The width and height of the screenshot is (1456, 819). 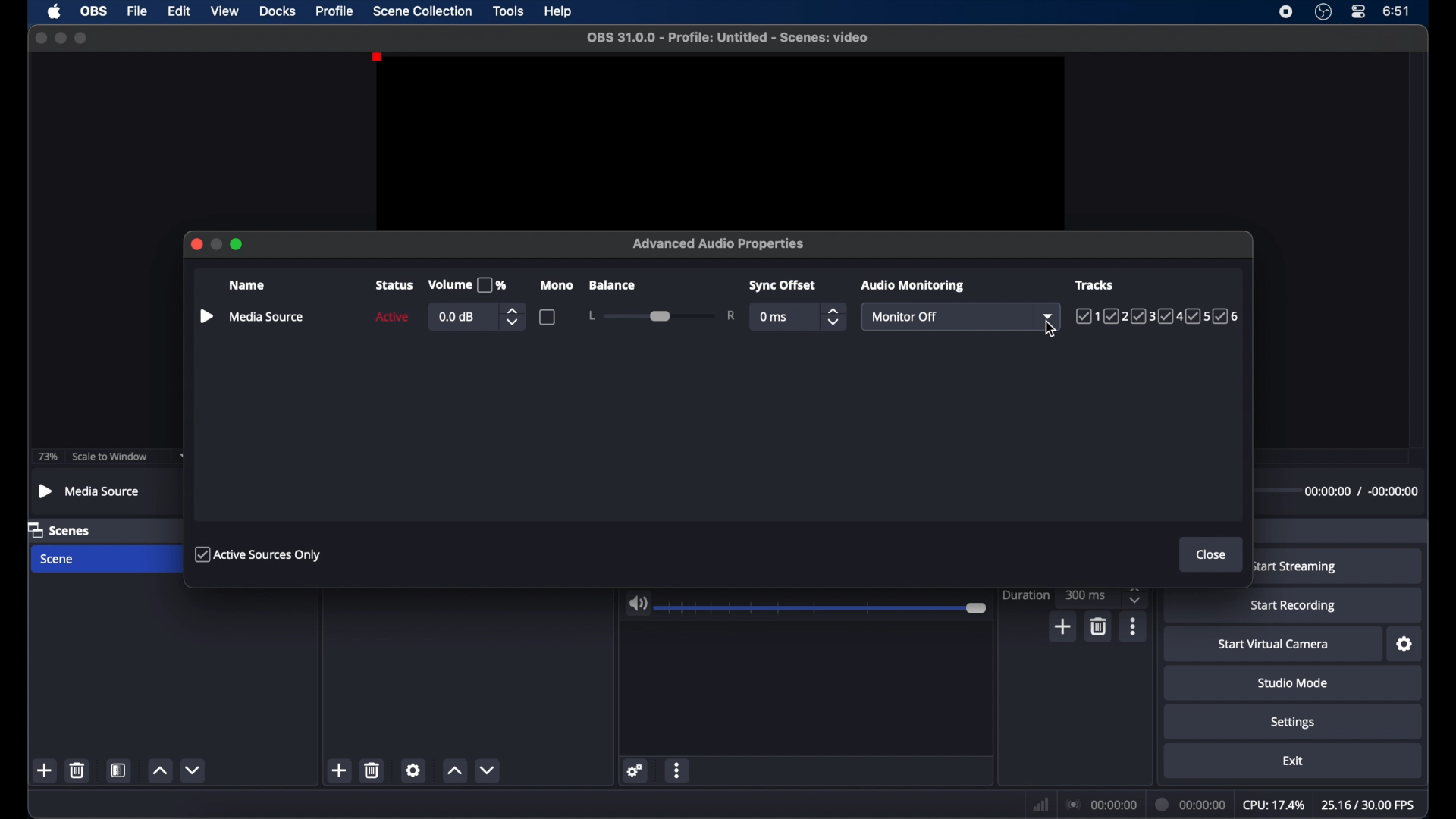 What do you see at coordinates (467, 285) in the screenshot?
I see `volume` at bounding box center [467, 285].